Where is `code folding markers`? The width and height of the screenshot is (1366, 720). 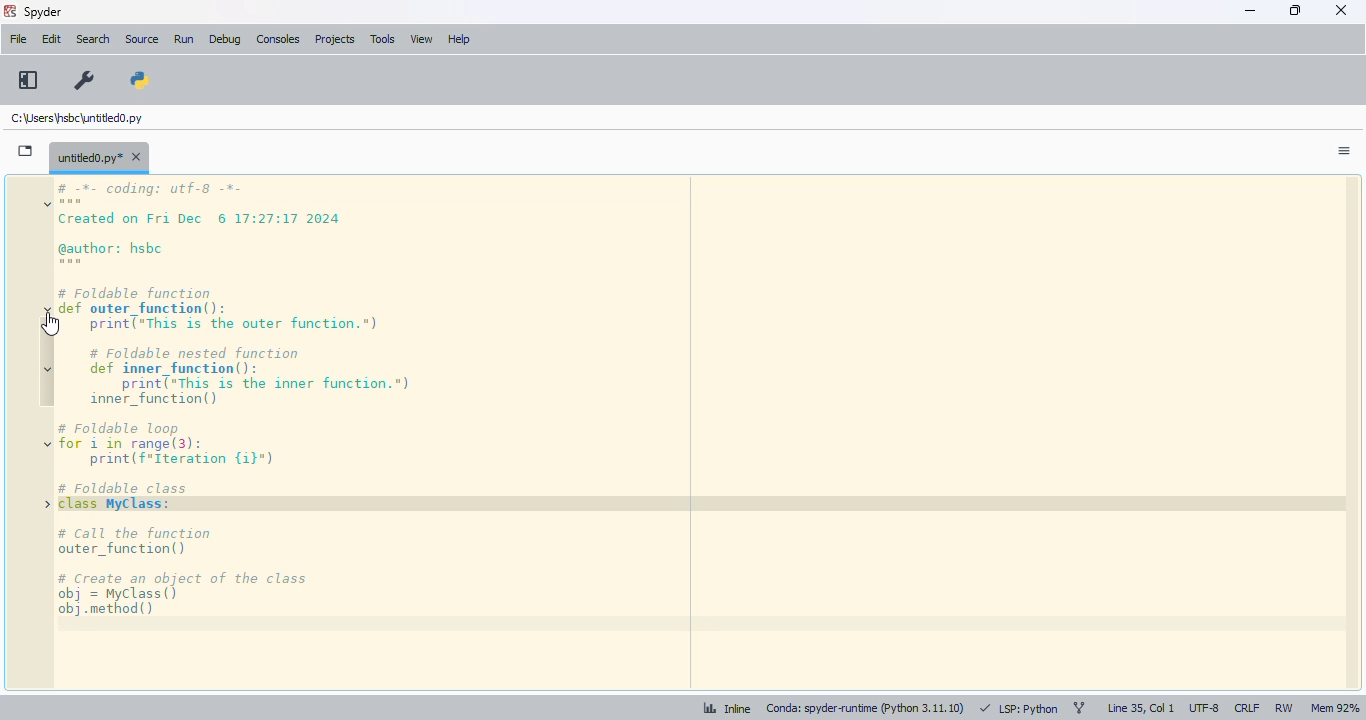 code folding markers is located at coordinates (46, 388).